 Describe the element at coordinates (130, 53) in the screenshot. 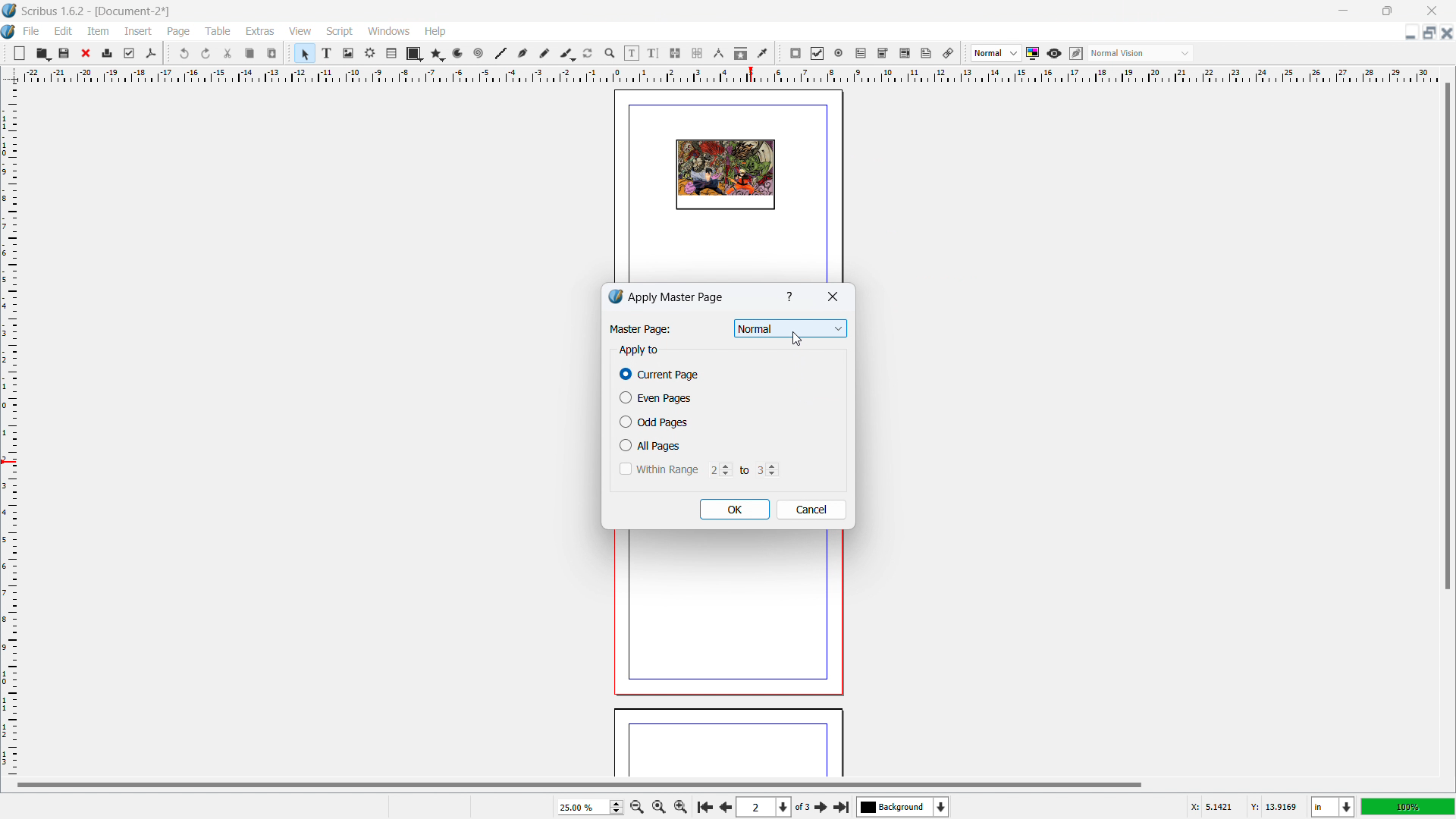

I see `preflight checkbox` at that location.